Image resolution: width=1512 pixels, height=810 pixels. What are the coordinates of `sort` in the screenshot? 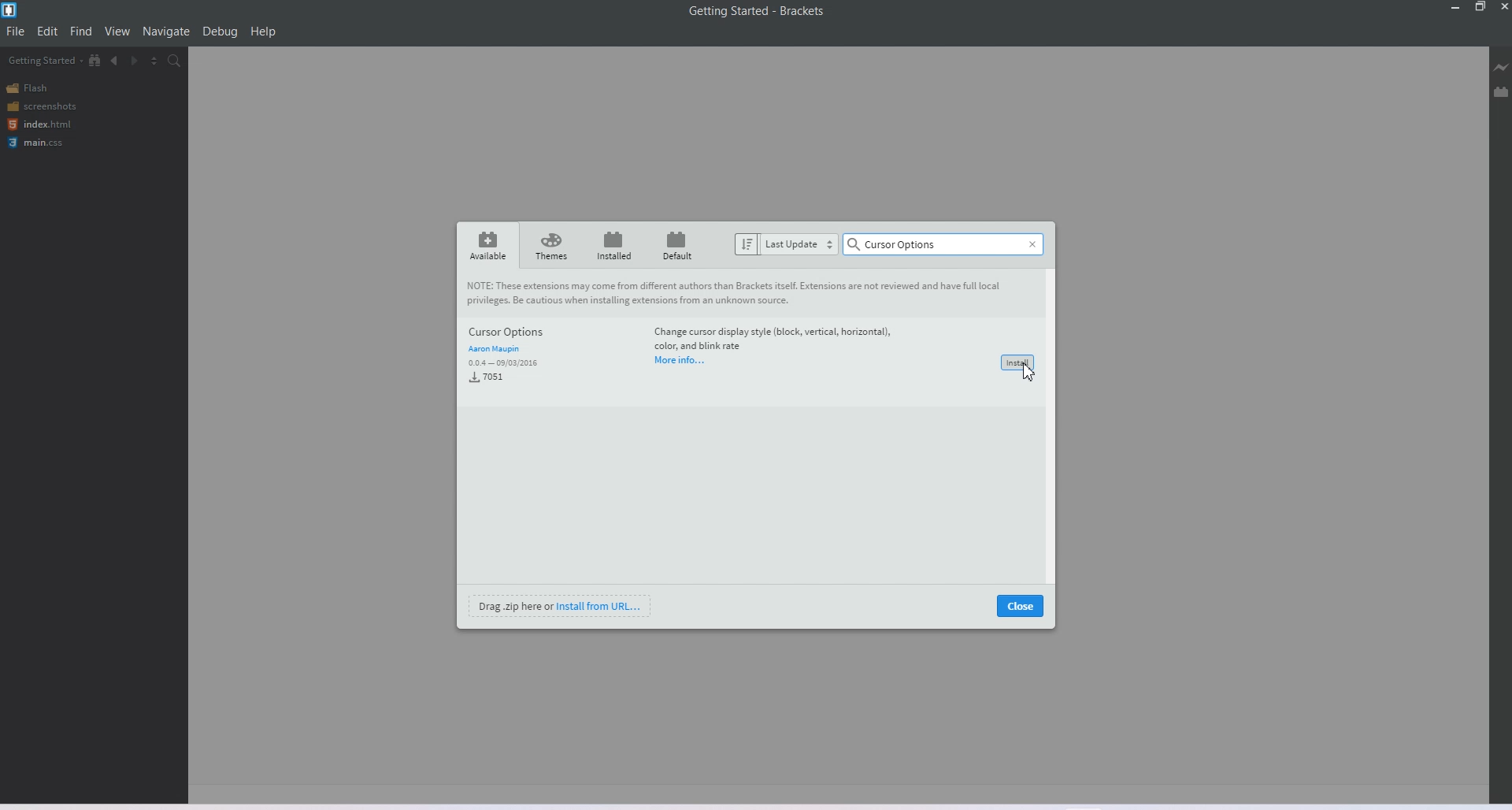 It's located at (747, 245).